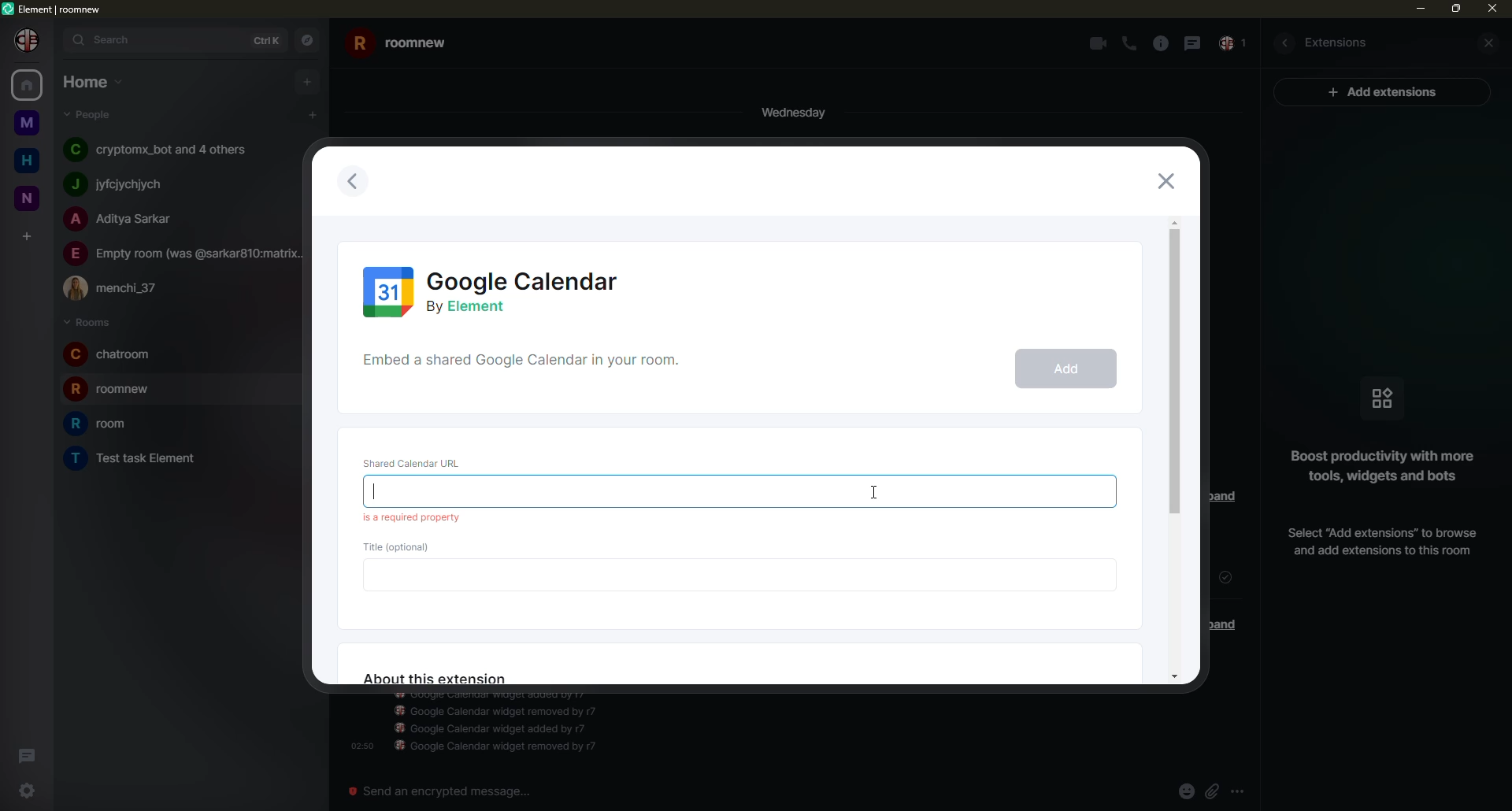  What do you see at coordinates (1454, 10) in the screenshot?
I see `max` at bounding box center [1454, 10].